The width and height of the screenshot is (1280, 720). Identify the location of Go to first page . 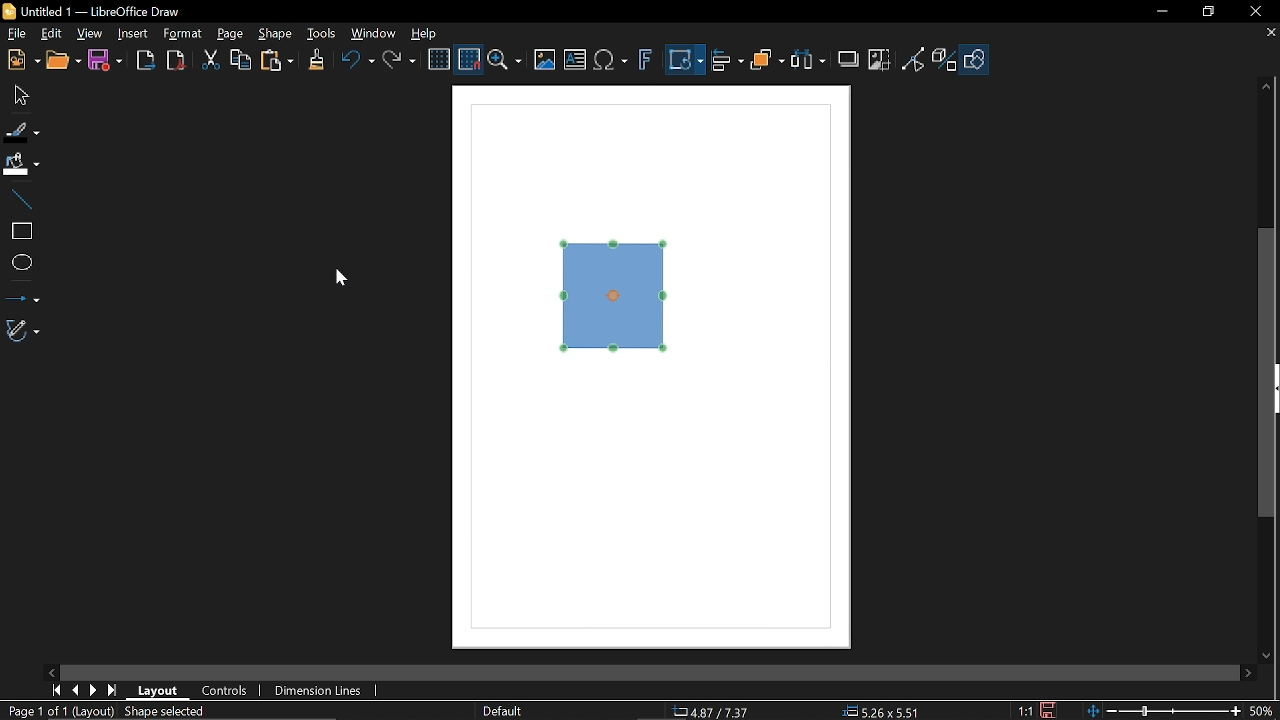
(56, 691).